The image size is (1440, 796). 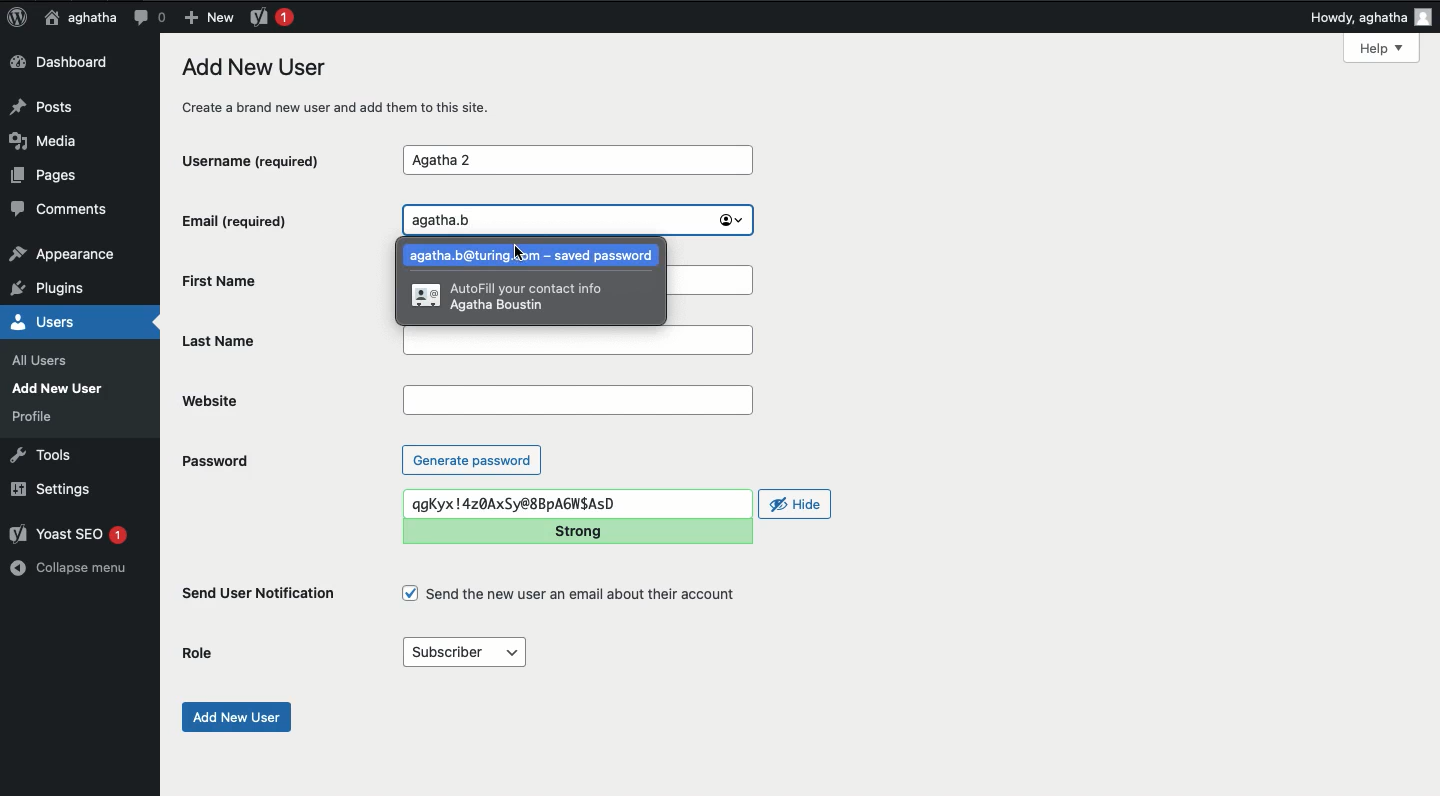 What do you see at coordinates (463, 653) in the screenshot?
I see `Subscriber` at bounding box center [463, 653].